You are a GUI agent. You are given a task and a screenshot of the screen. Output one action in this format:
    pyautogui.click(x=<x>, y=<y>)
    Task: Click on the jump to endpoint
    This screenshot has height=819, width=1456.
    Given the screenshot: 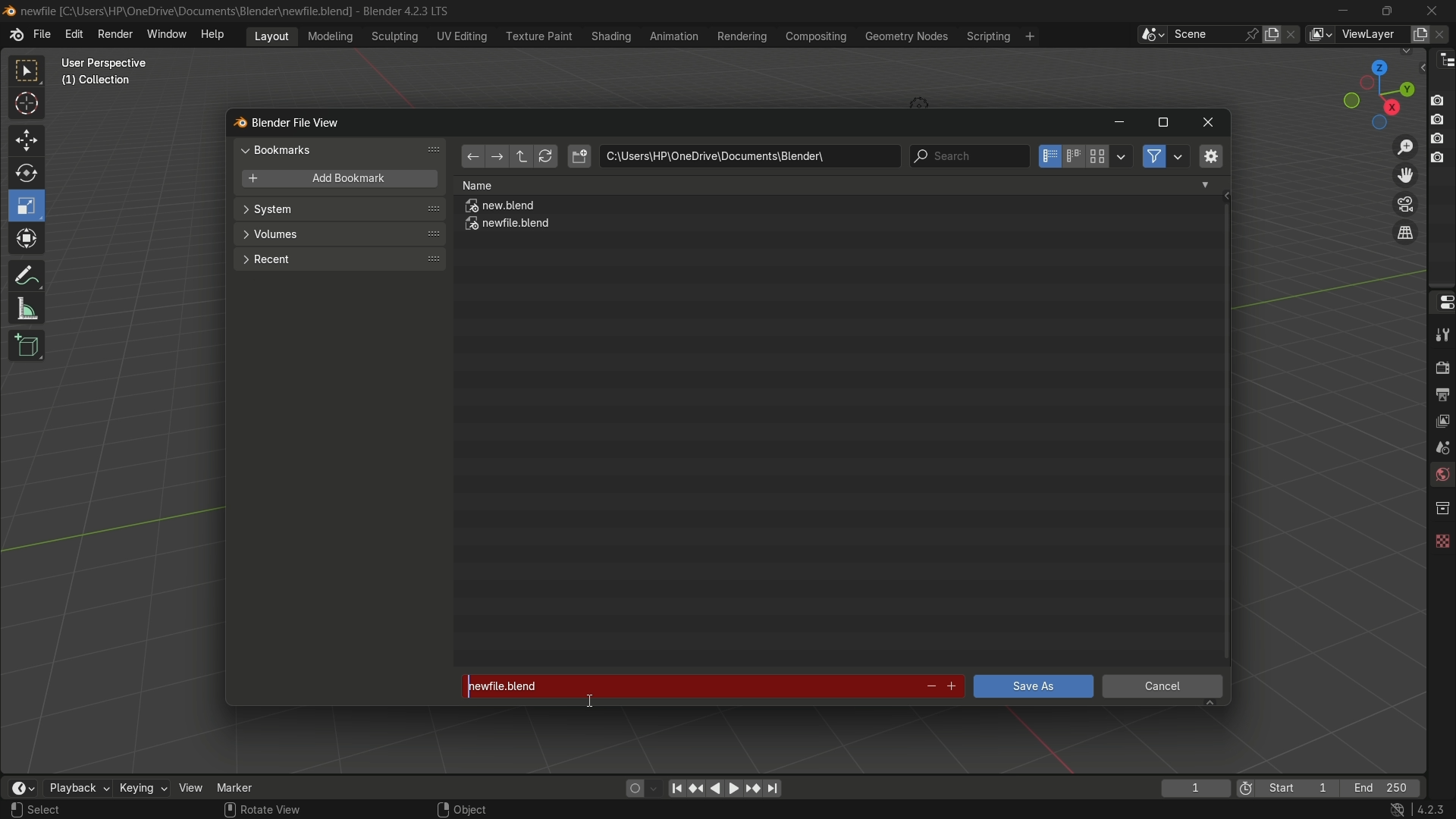 What is the action you would take?
    pyautogui.click(x=676, y=787)
    